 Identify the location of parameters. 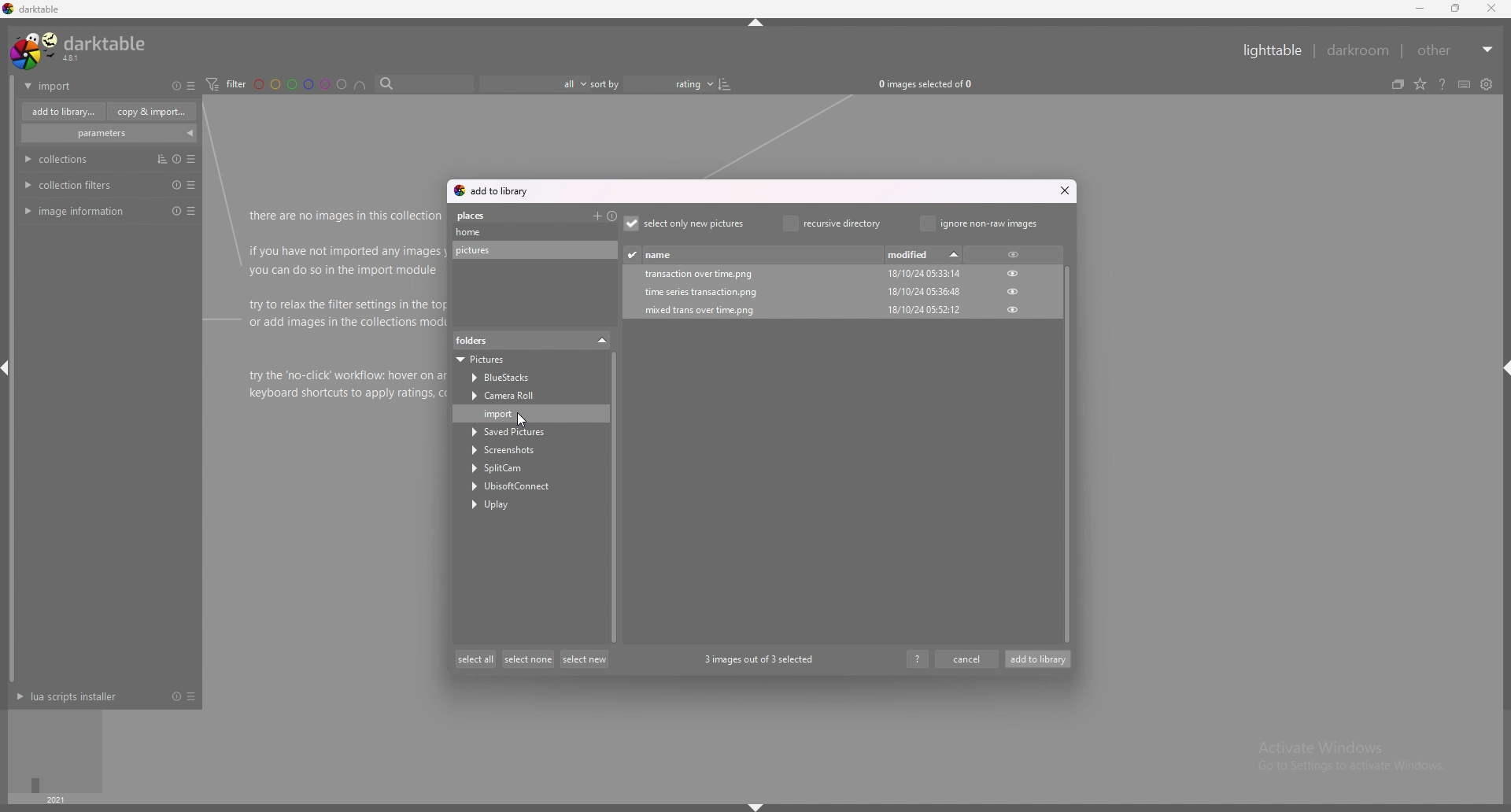
(109, 134).